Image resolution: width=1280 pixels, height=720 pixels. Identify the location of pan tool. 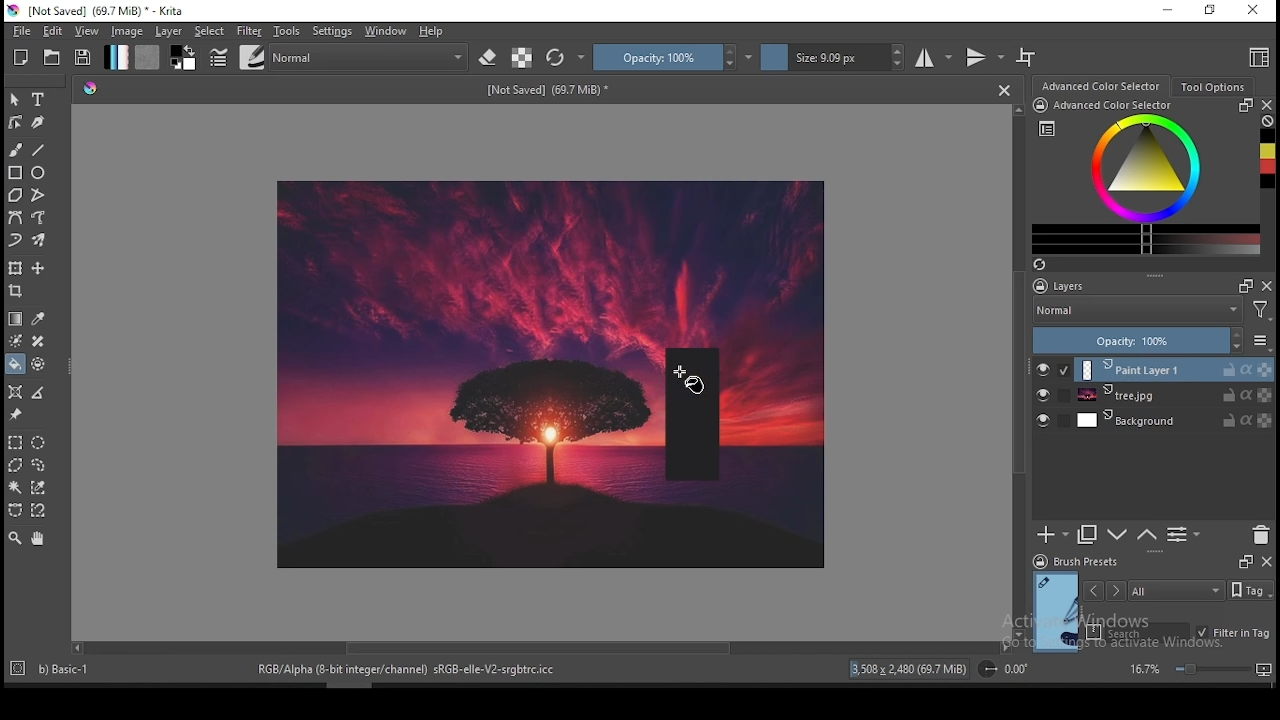
(37, 540).